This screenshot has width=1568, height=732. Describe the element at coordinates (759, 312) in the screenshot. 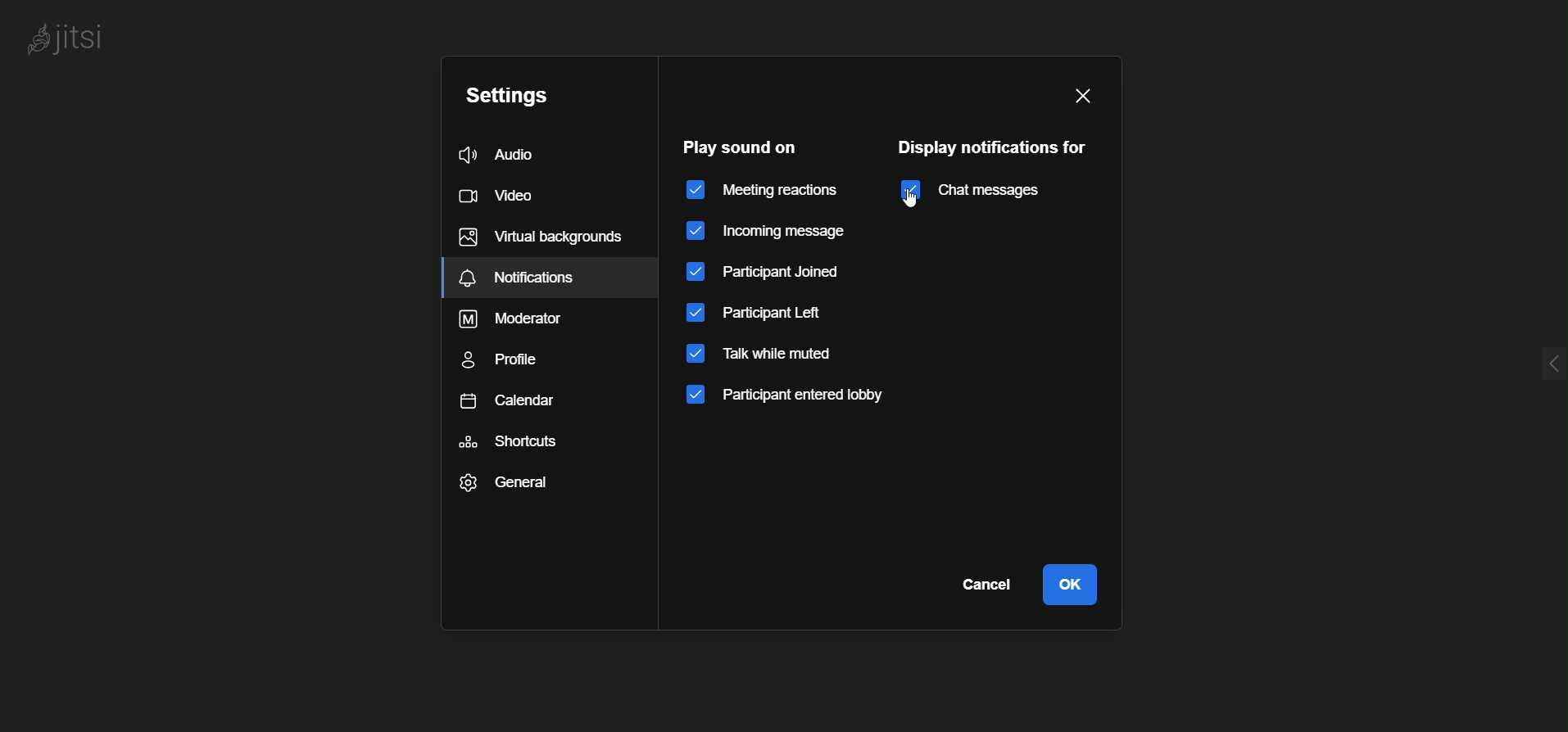

I see `participant left` at that location.